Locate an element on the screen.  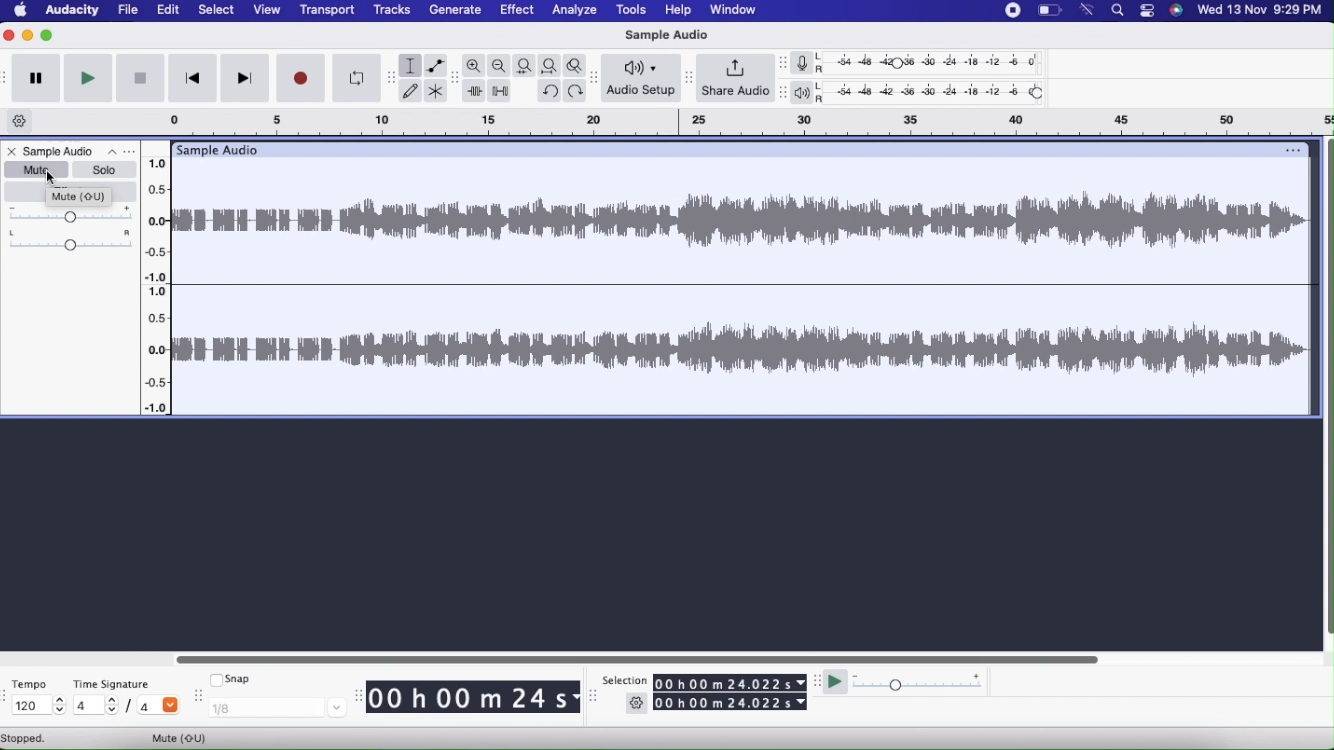
Playback level is located at coordinates (934, 92).